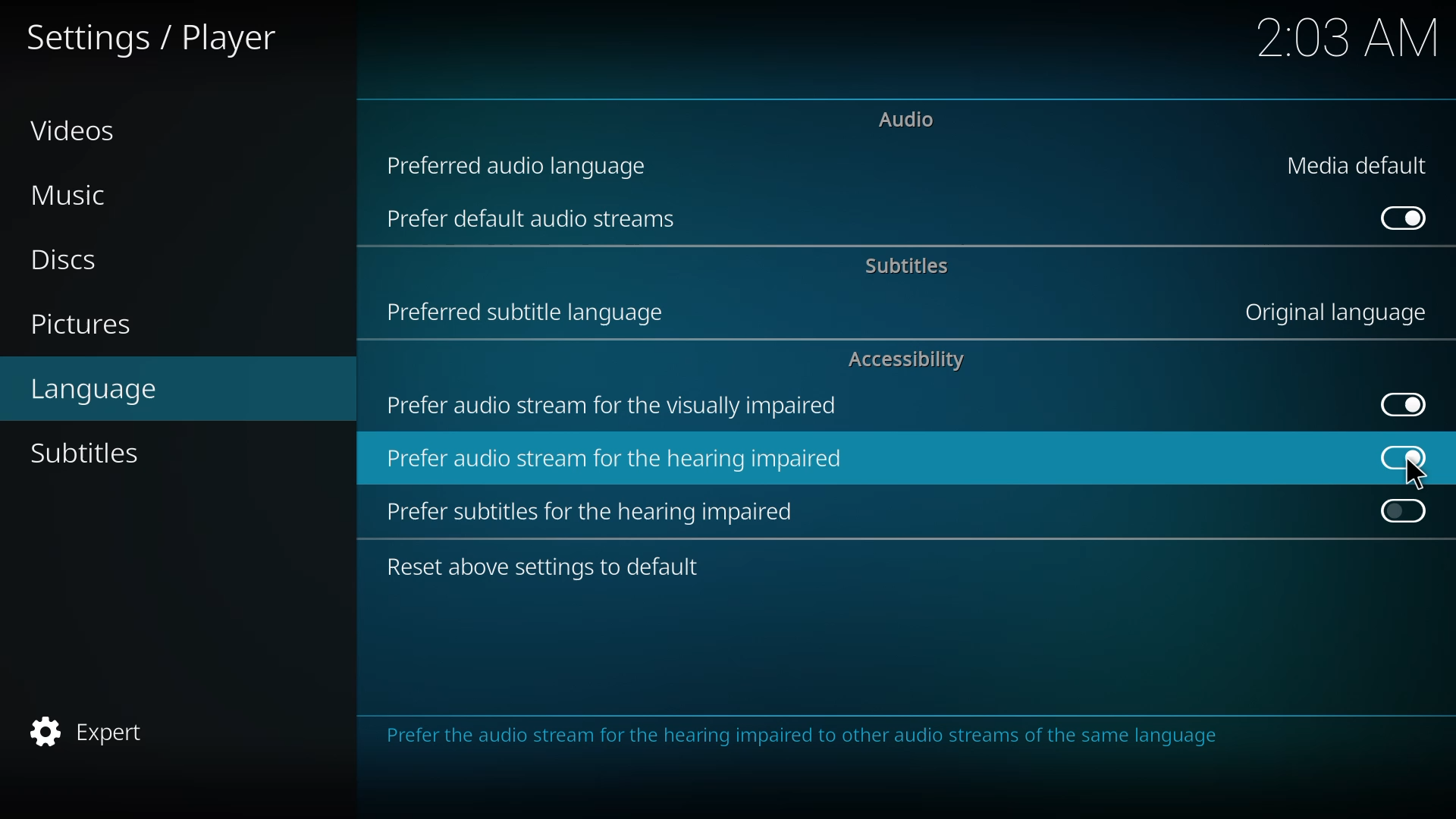  I want to click on click to enable, so click(1404, 513).